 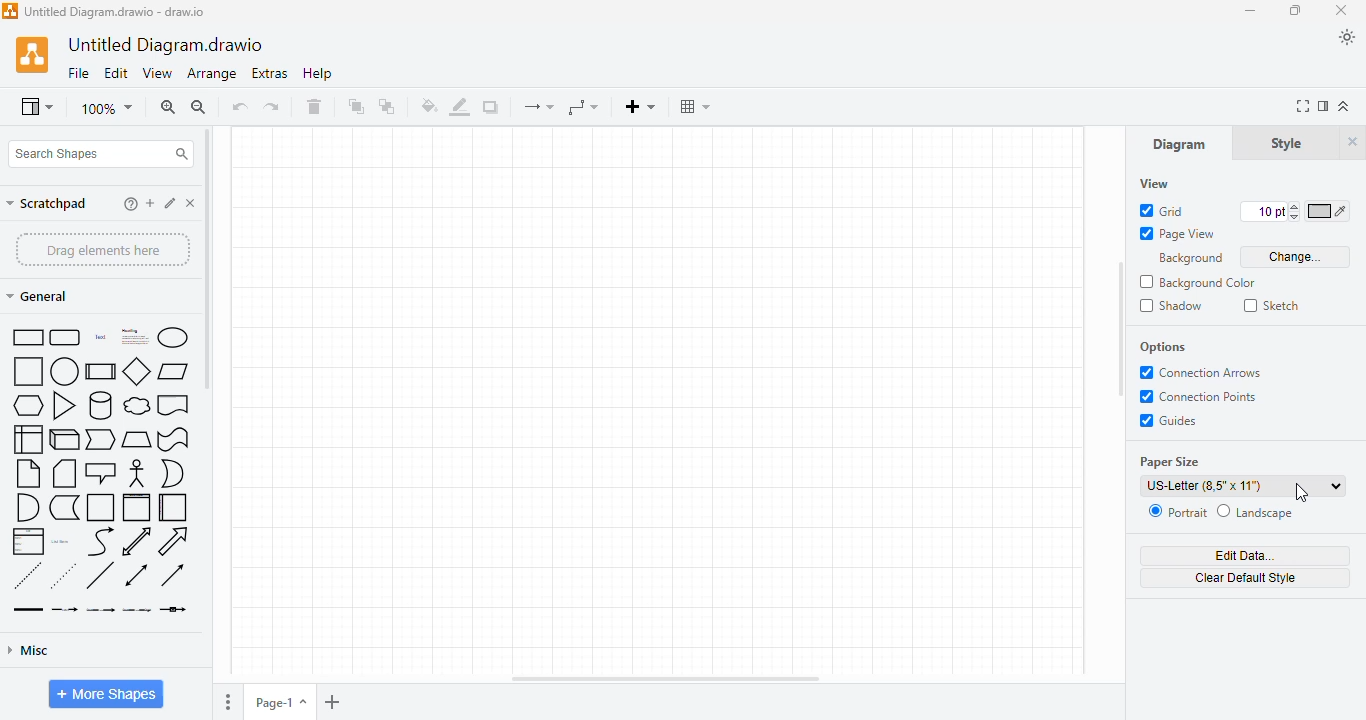 I want to click on logo, so click(x=9, y=11).